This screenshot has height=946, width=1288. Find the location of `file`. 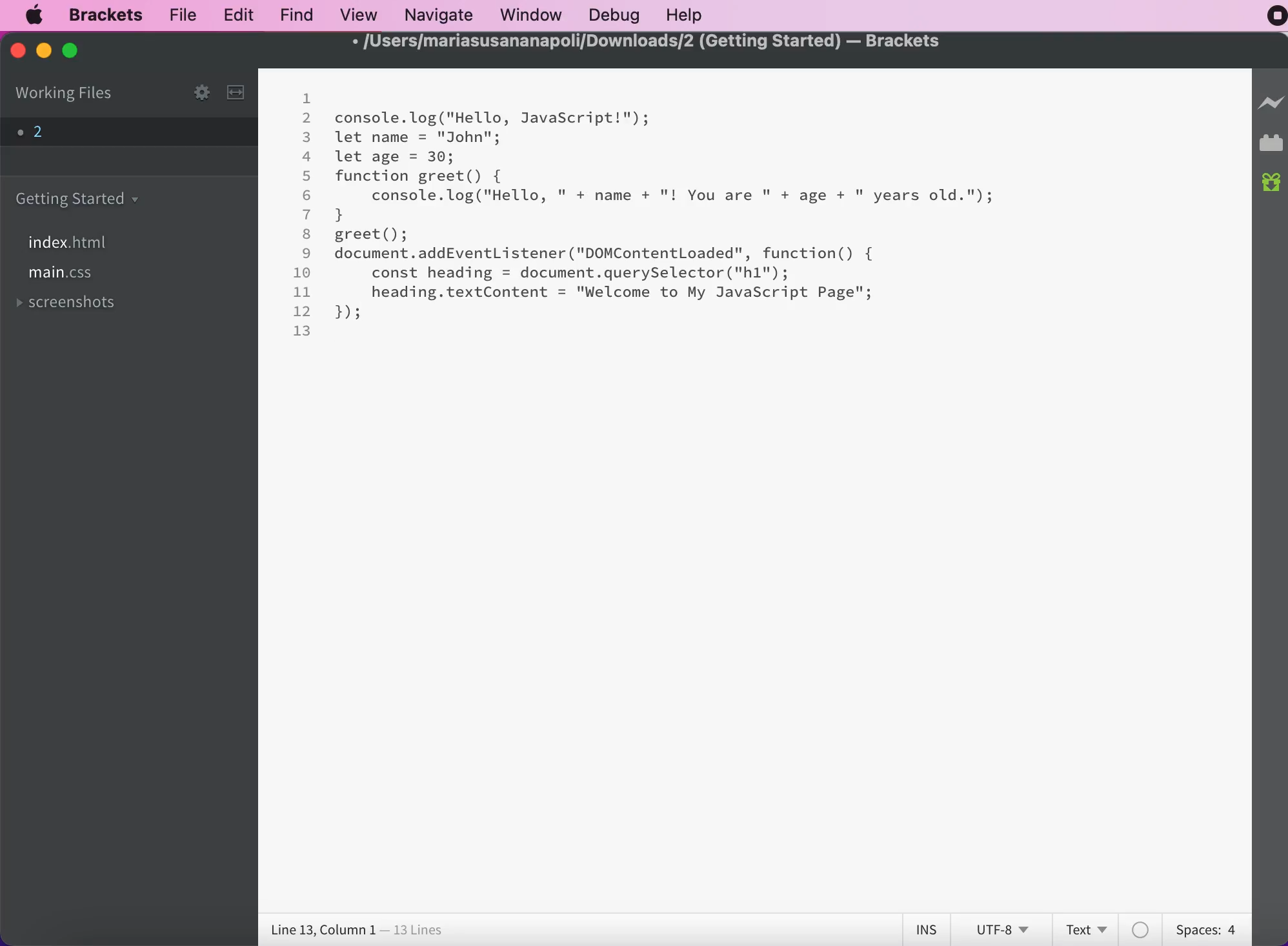

file is located at coordinates (179, 17).